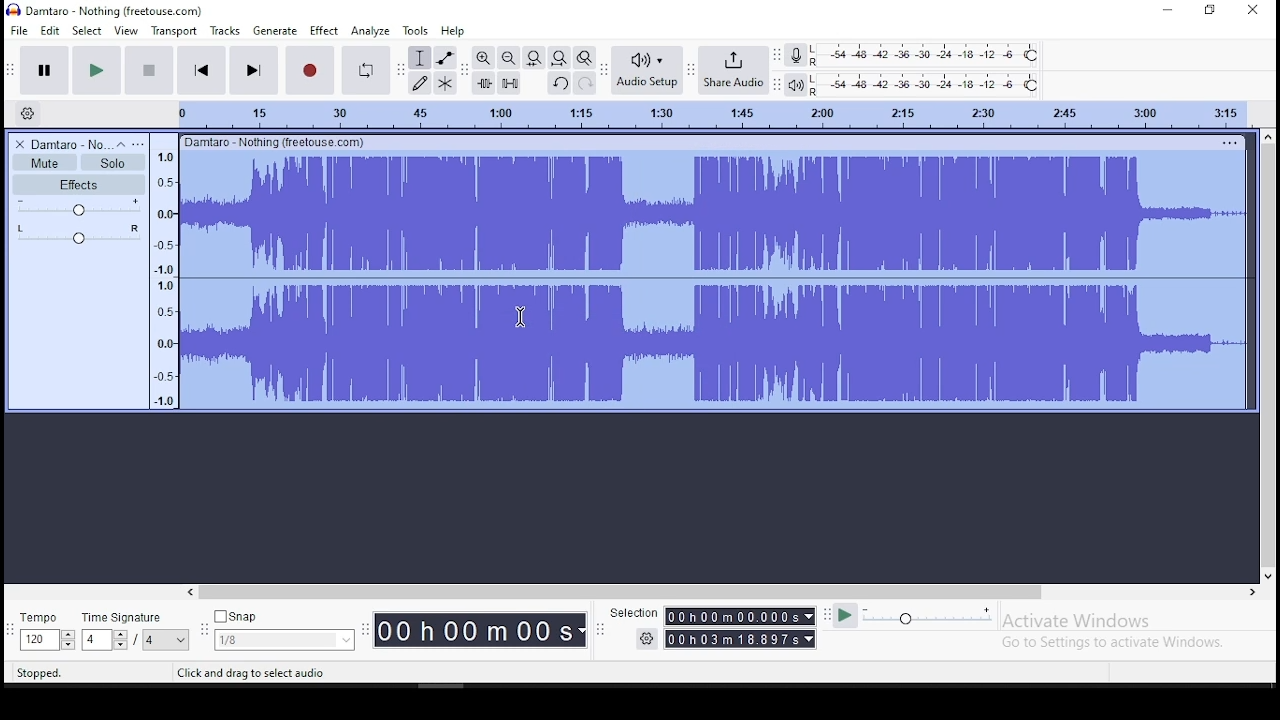 This screenshot has height=720, width=1280. What do you see at coordinates (43, 162) in the screenshot?
I see `mute` at bounding box center [43, 162].